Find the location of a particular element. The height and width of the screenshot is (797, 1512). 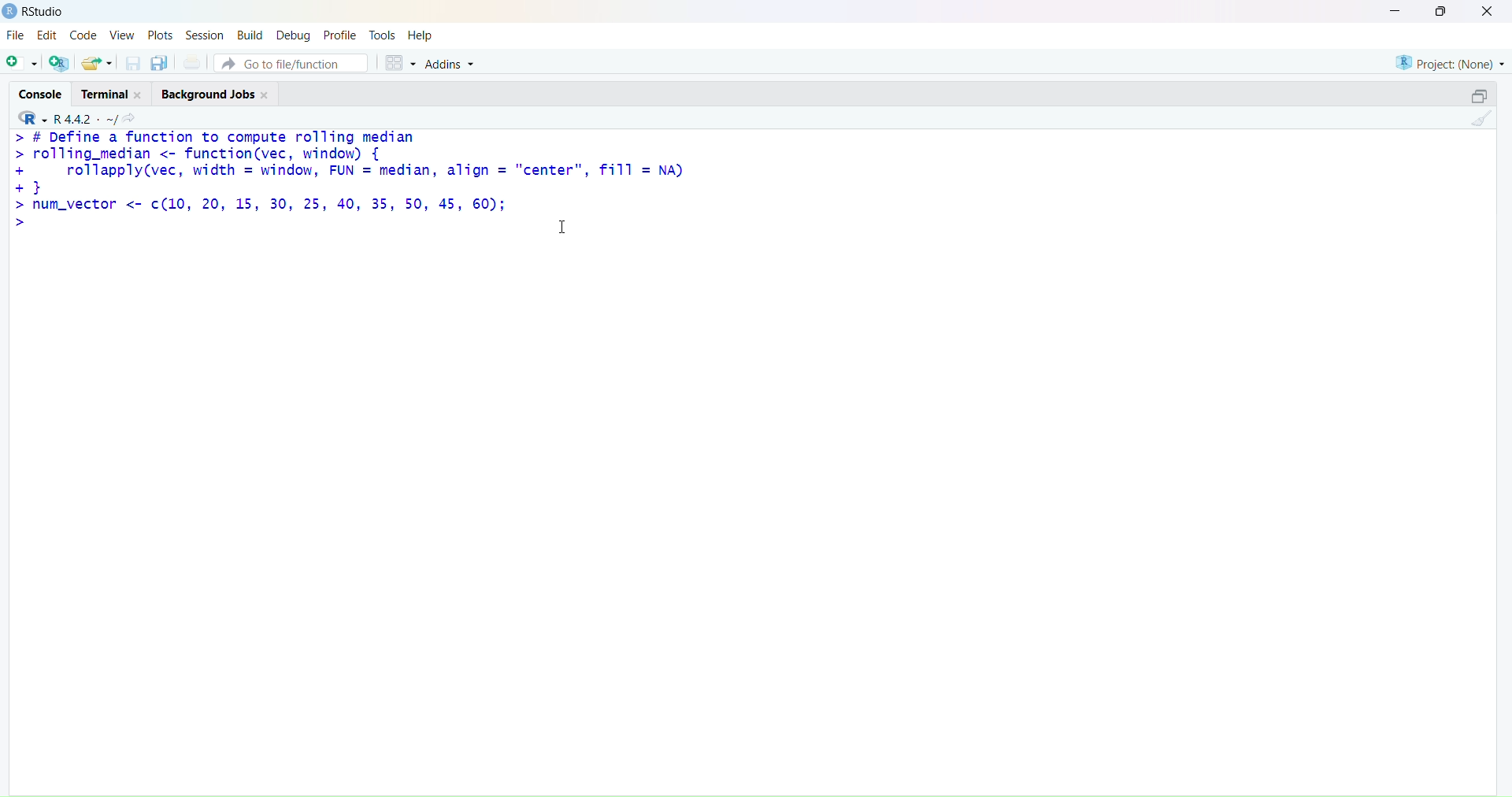

R is located at coordinates (33, 117).